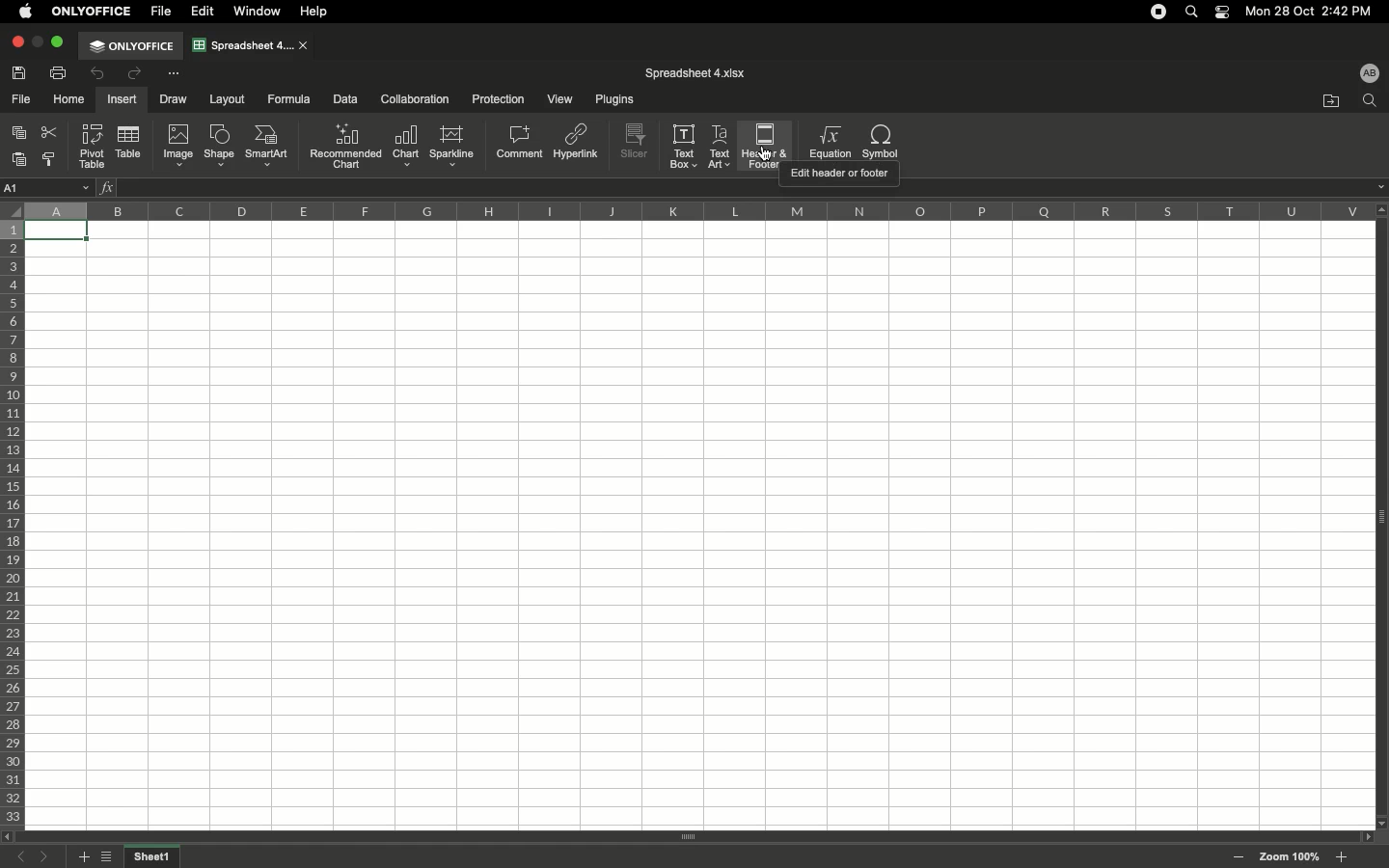 This screenshot has height=868, width=1389. What do you see at coordinates (286, 98) in the screenshot?
I see `Formula` at bounding box center [286, 98].